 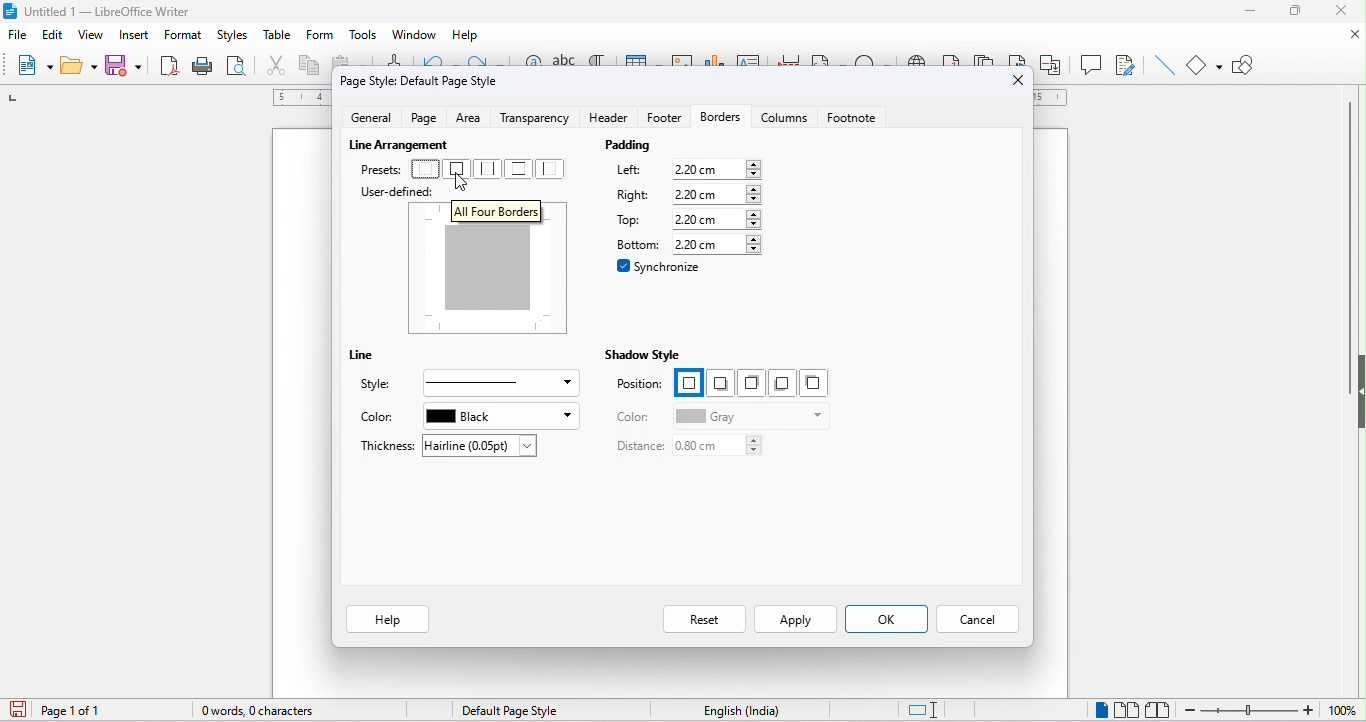 I want to click on close, so click(x=1017, y=79).